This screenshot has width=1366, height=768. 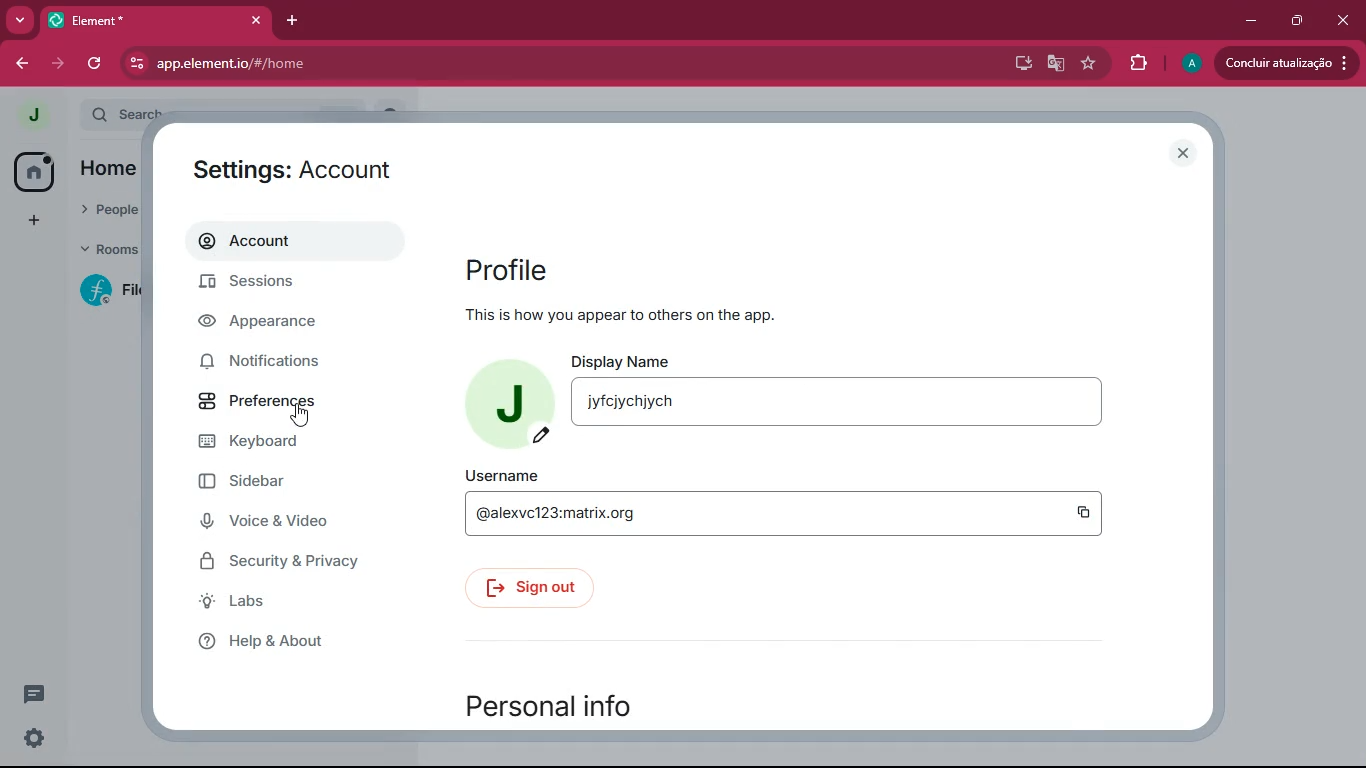 I want to click on forward, so click(x=55, y=64).